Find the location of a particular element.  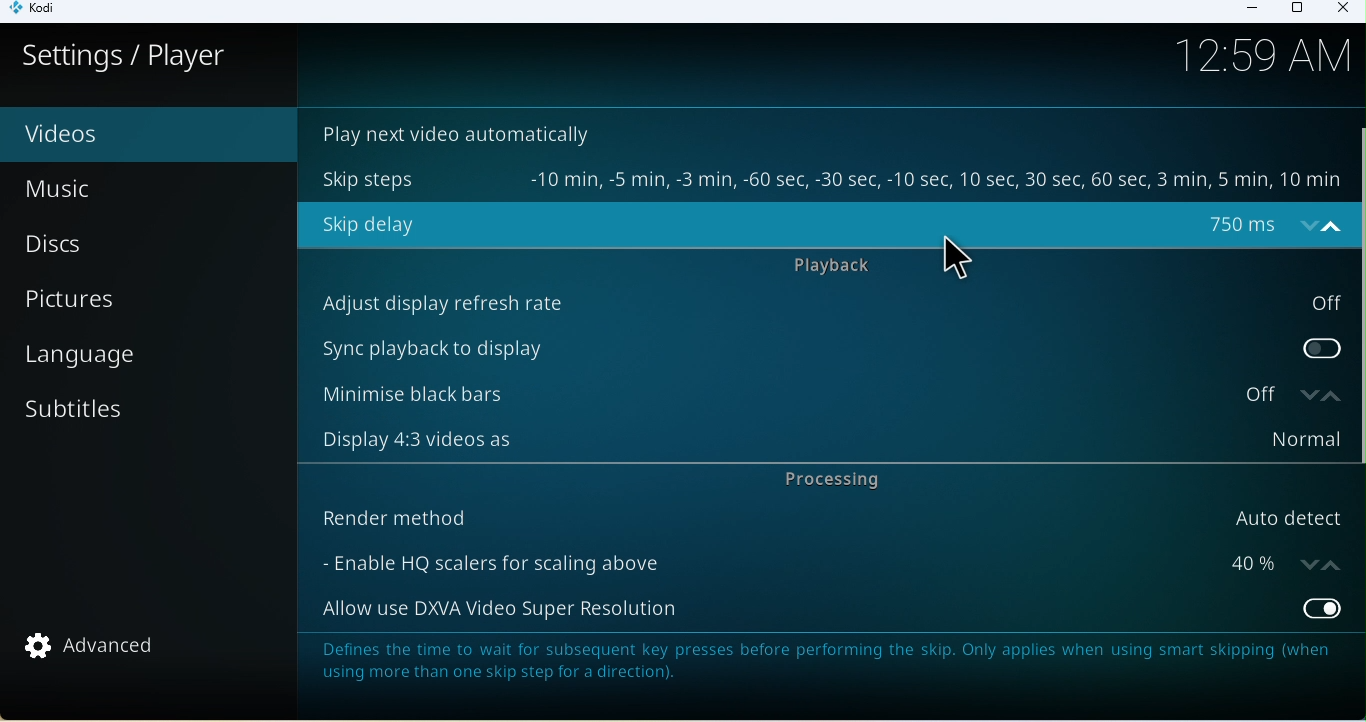

Discs is located at coordinates (136, 244).